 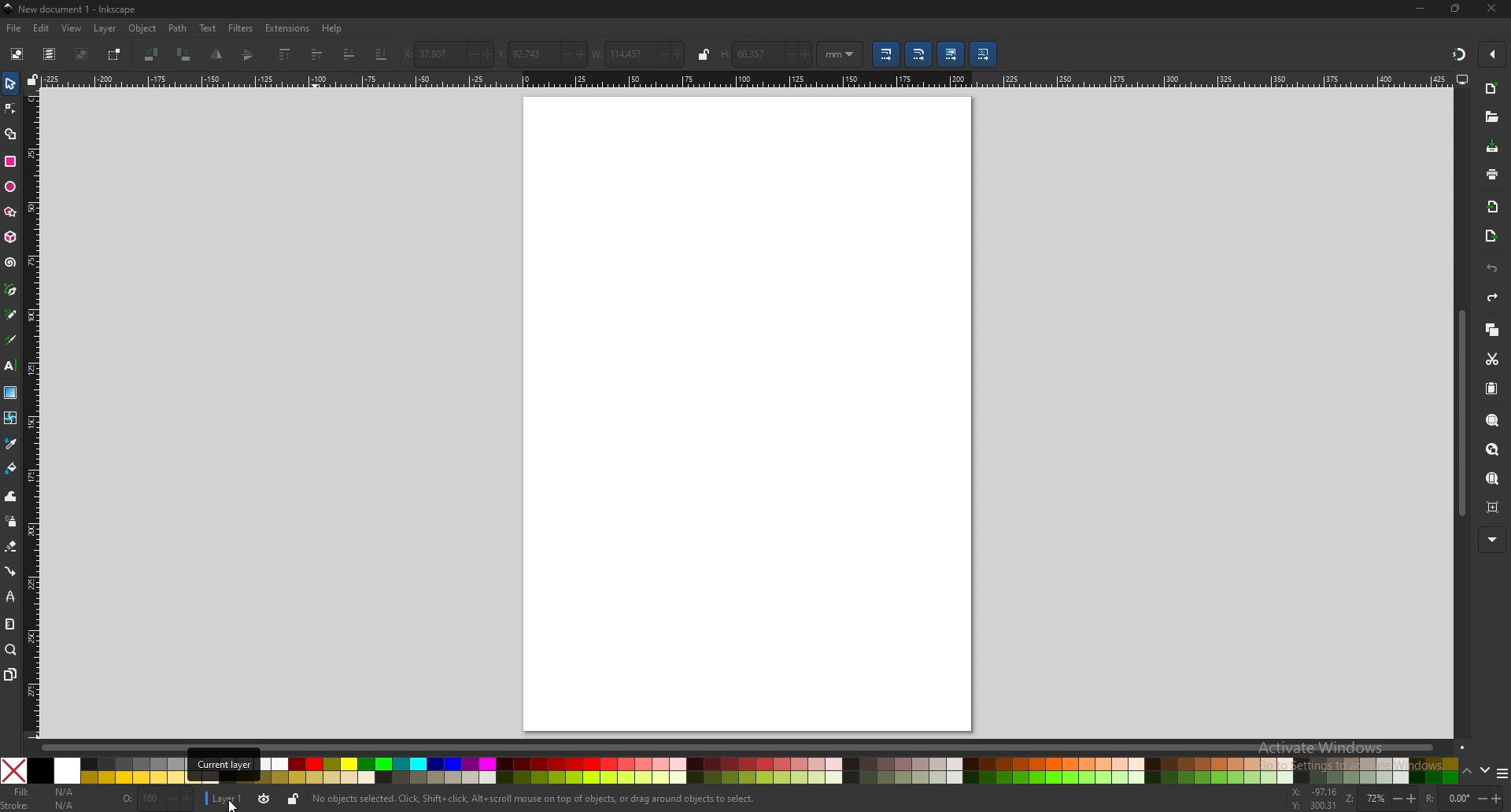 I want to click on enable snapping, so click(x=1493, y=54).